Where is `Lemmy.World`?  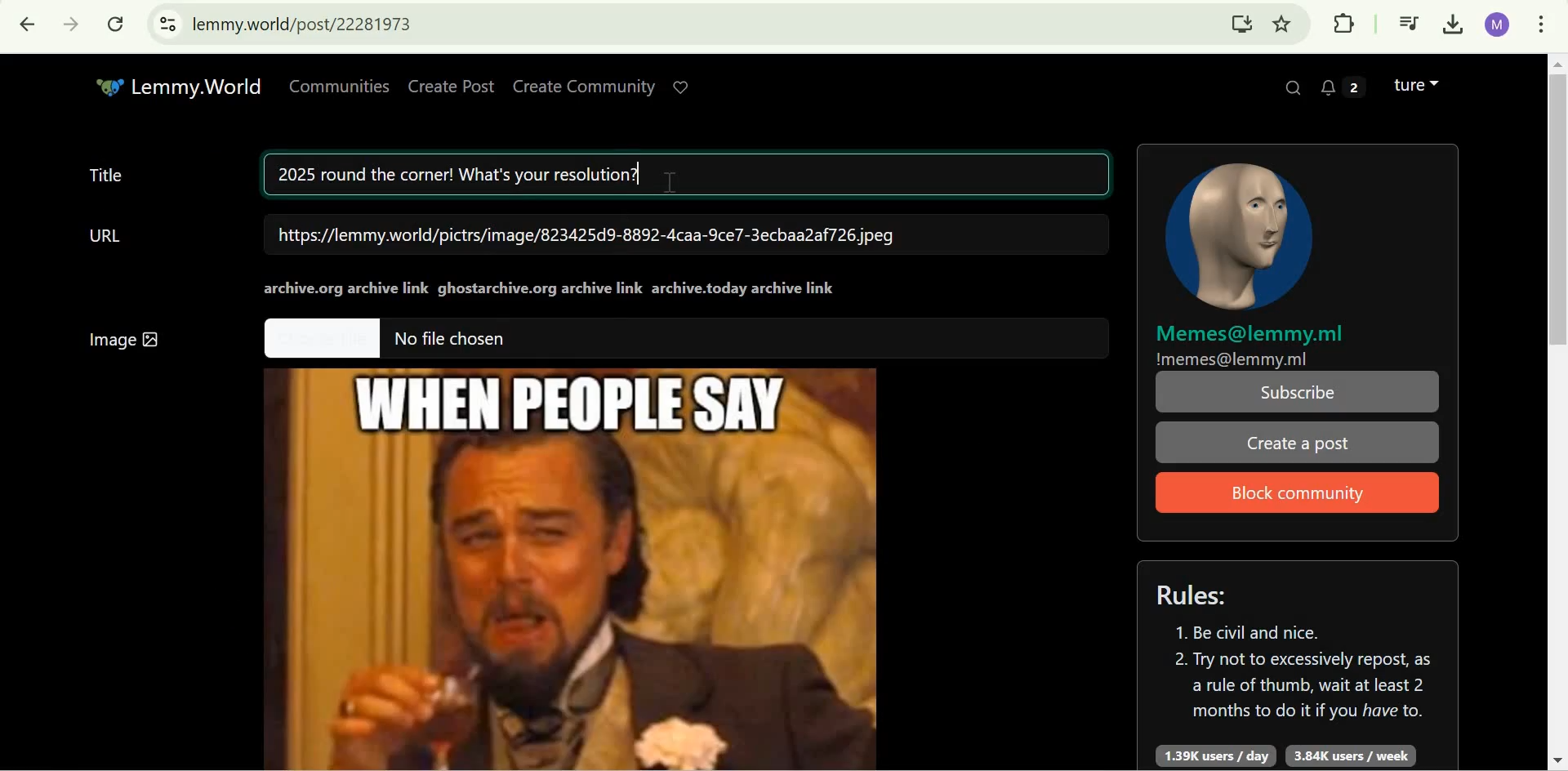 Lemmy.World is located at coordinates (196, 87).